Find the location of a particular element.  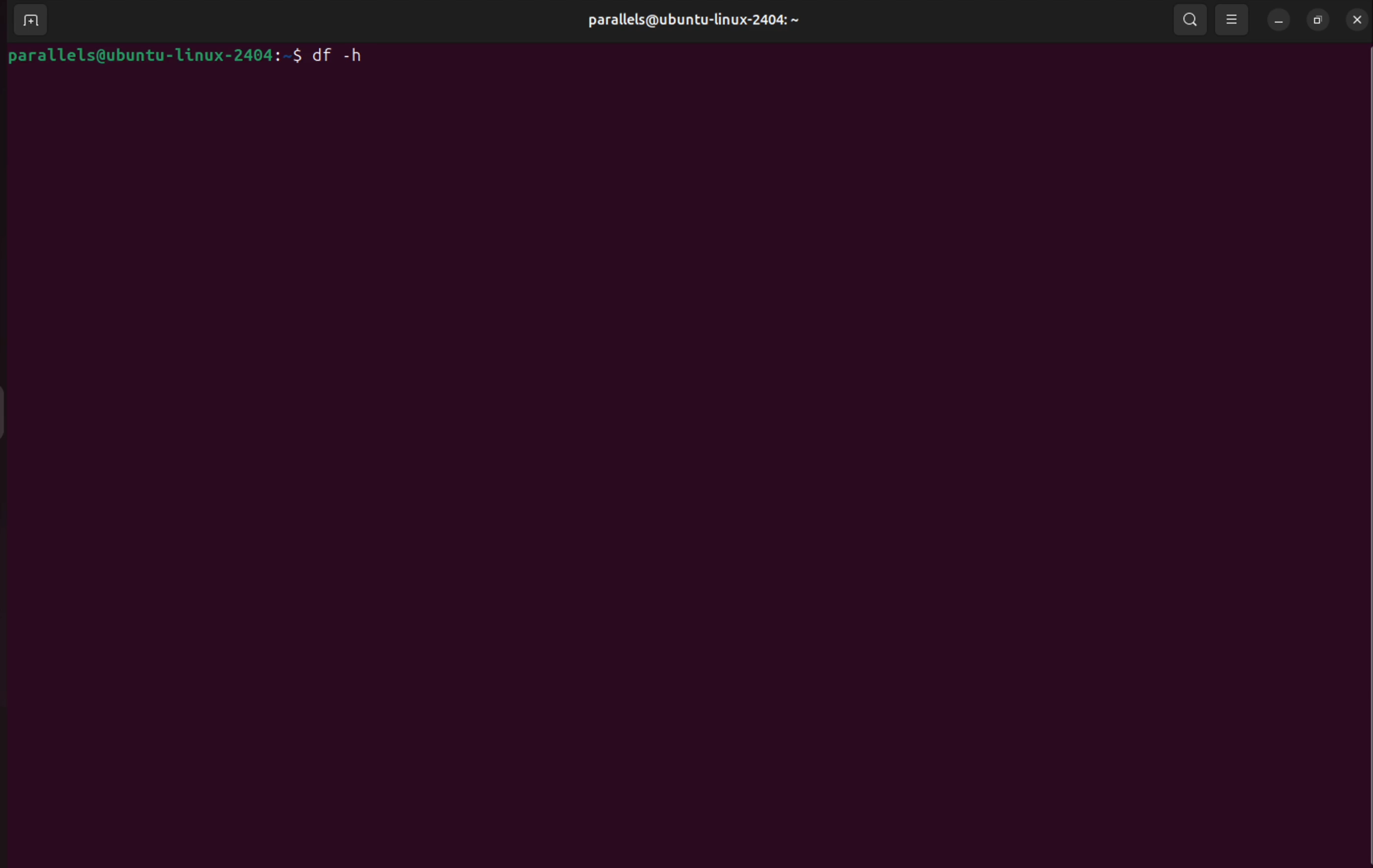

add terminal is located at coordinates (34, 20).